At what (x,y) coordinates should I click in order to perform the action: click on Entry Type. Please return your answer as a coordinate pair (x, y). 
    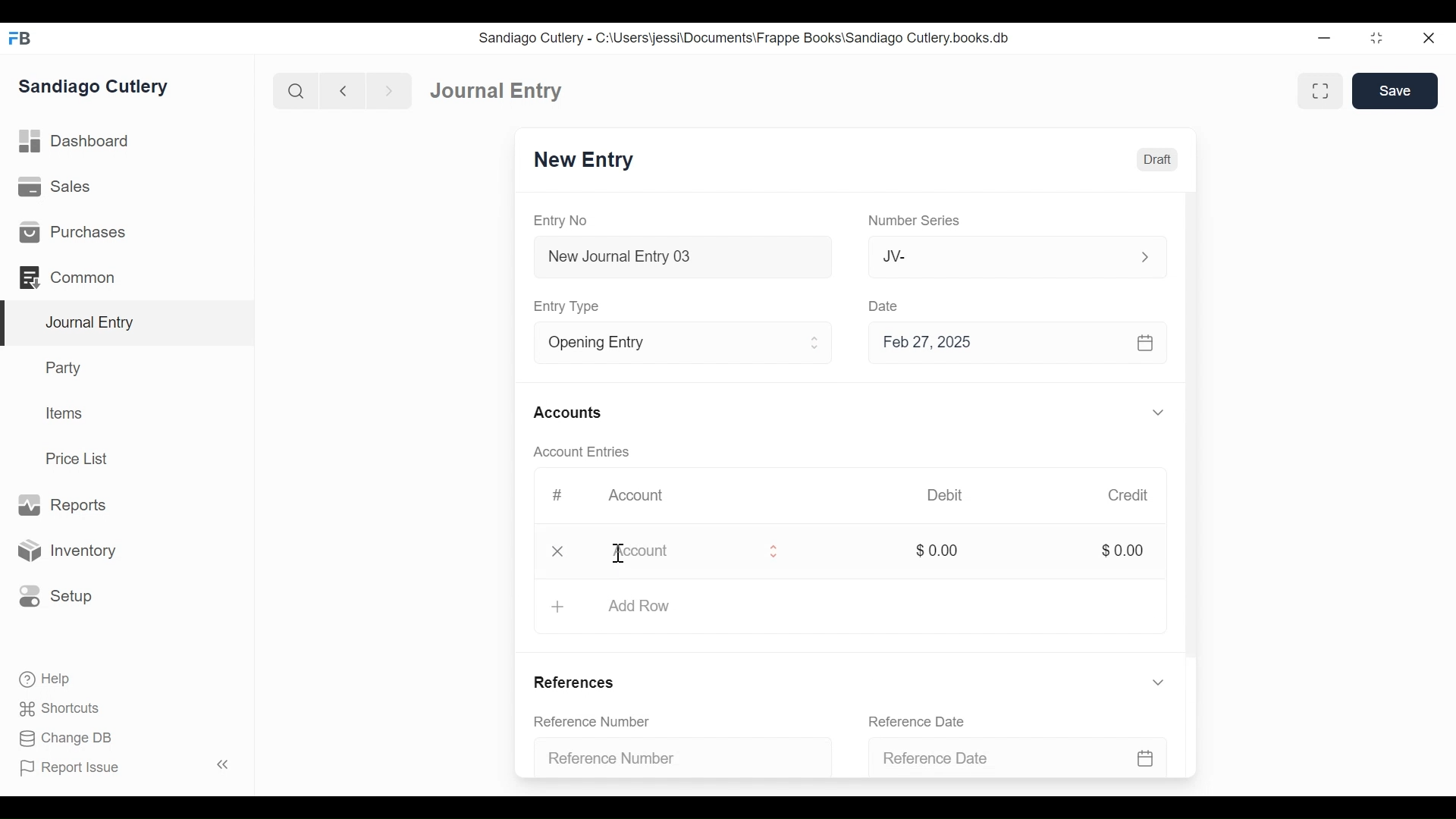
    Looking at the image, I should click on (663, 343).